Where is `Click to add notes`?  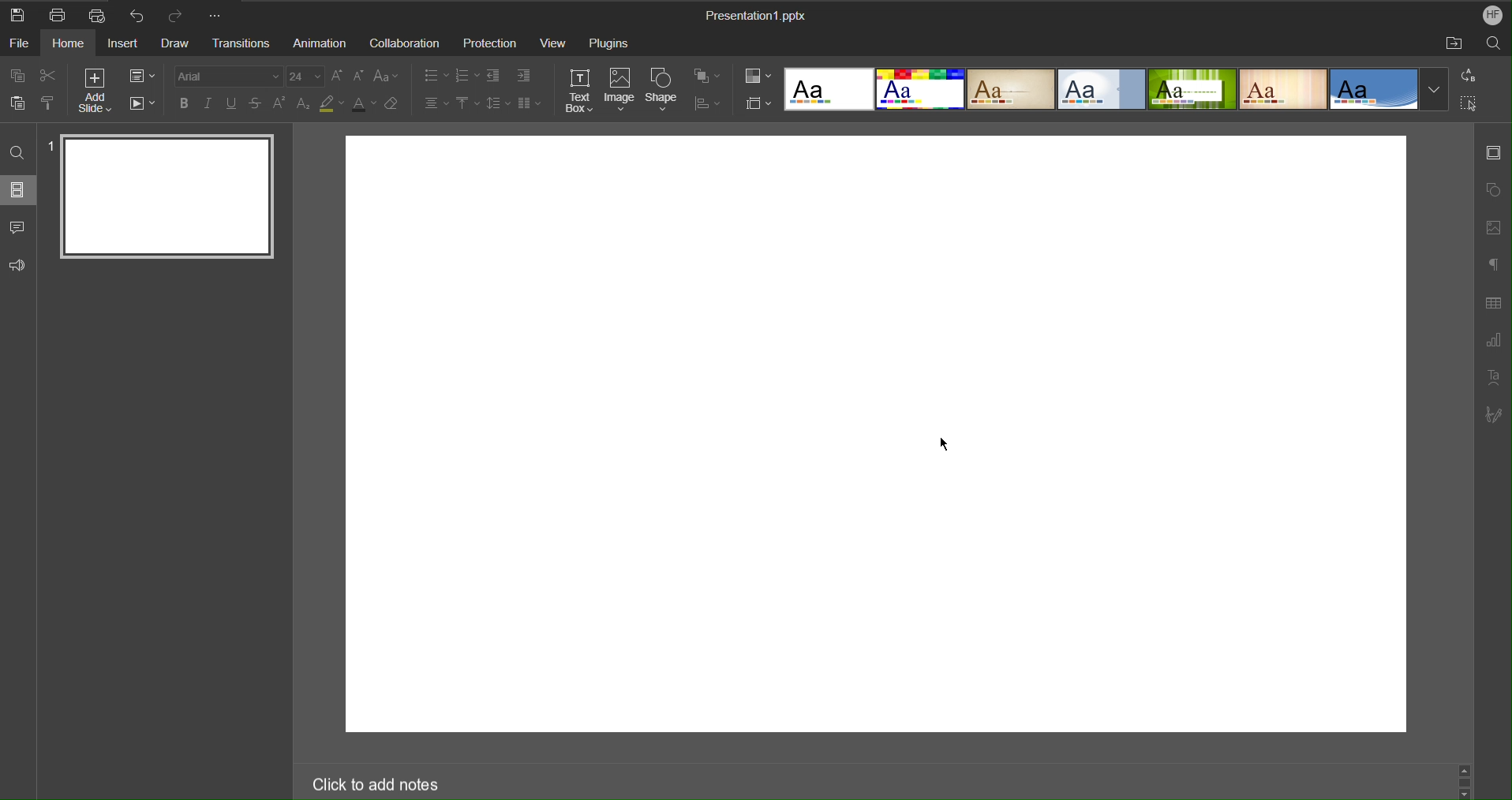 Click to add notes is located at coordinates (372, 785).